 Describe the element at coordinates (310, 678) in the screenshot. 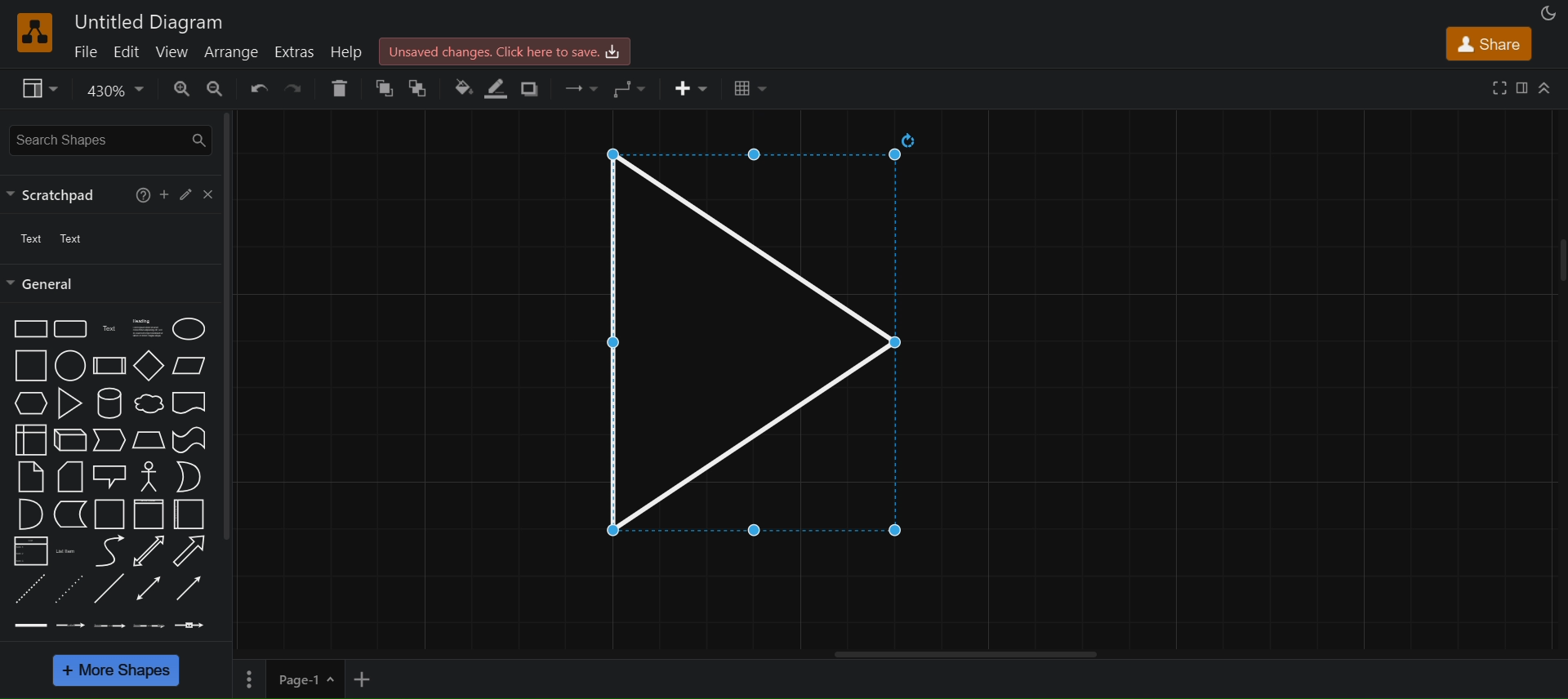

I see `page 1` at that location.